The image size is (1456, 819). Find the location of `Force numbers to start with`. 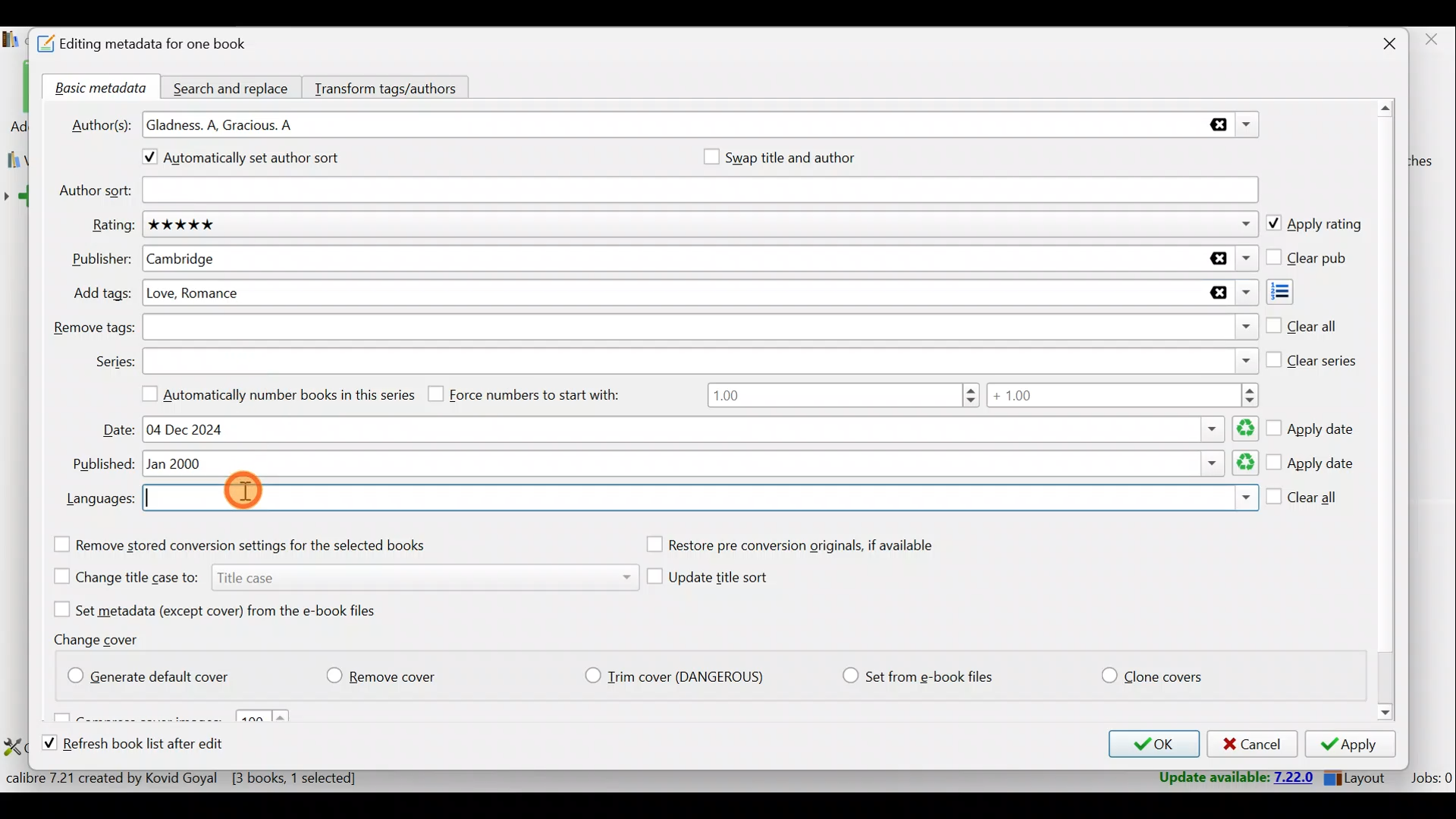

Force numbers to start with is located at coordinates (535, 394).